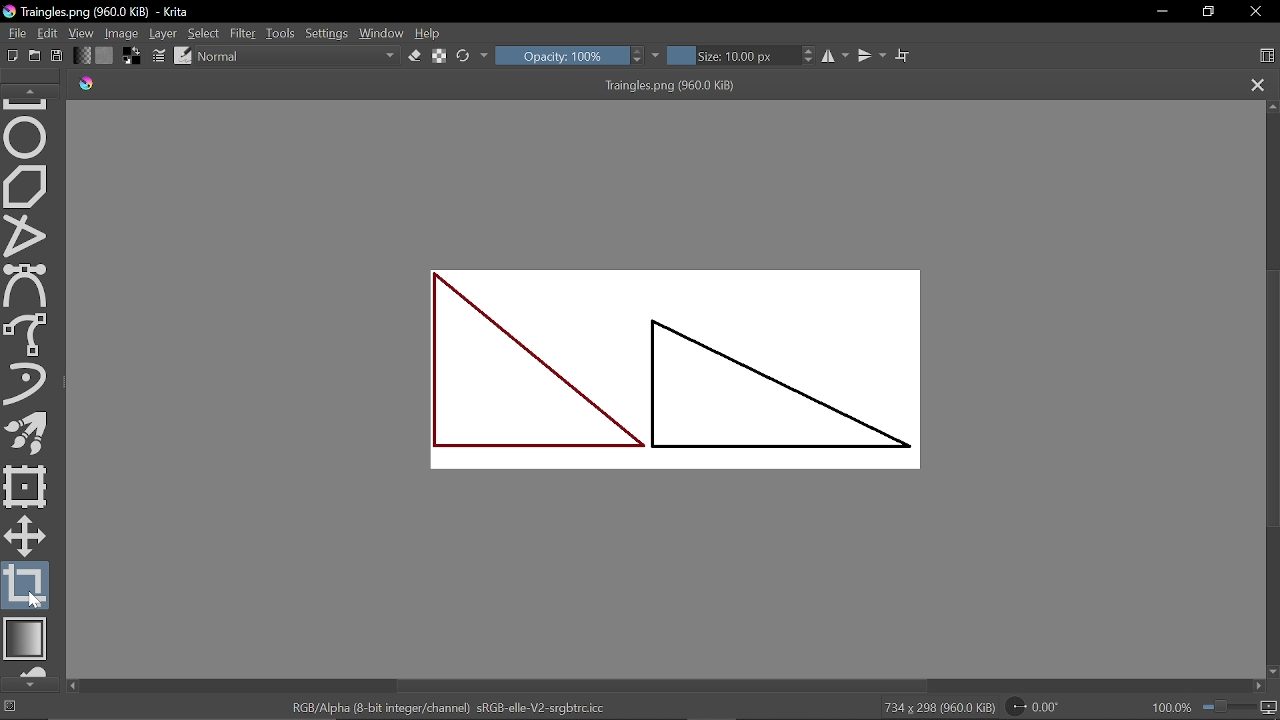 The height and width of the screenshot is (720, 1280). Describe the element at coordinates (49, 34) in the screenshot. I see `Edit` at that location.